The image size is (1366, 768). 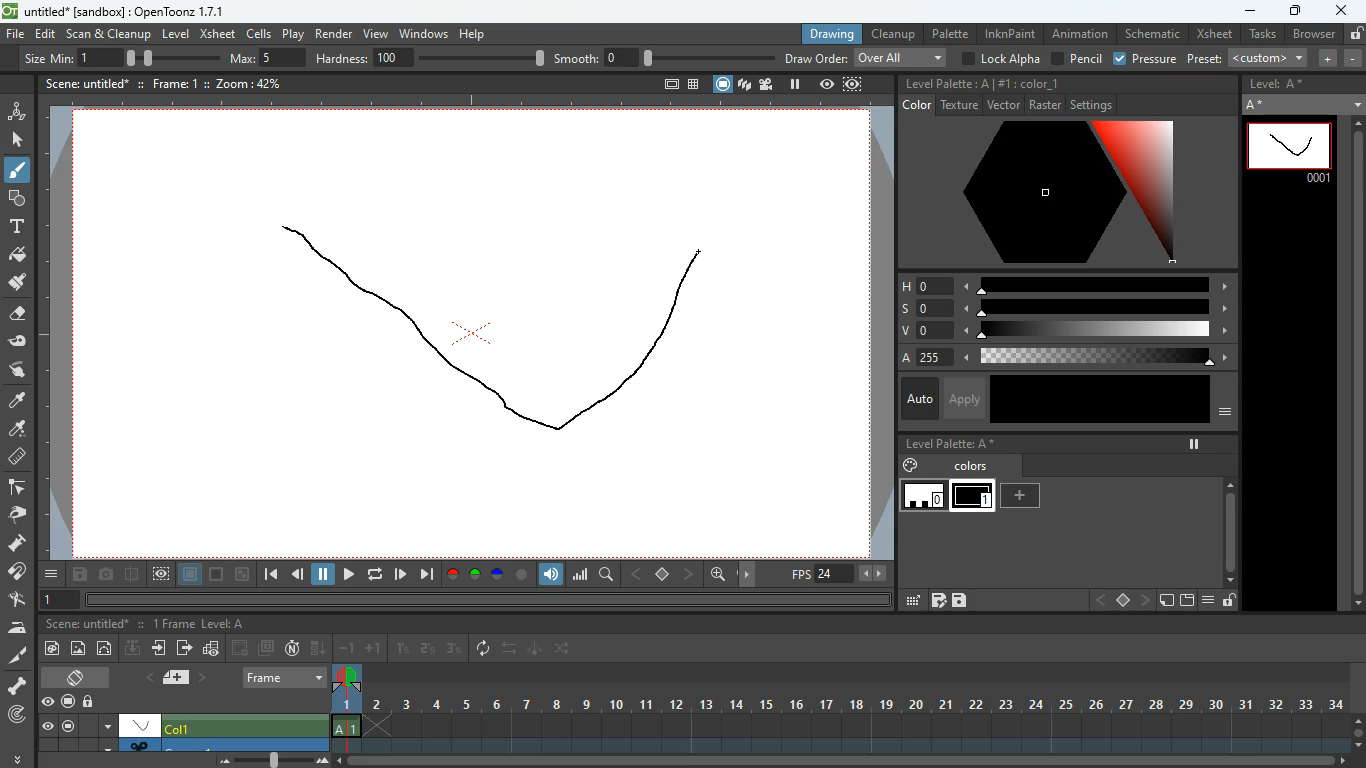 What do you see at coordinates (853, 710) in the screenshot?
I see `frames` at bounding box center [853, 710].